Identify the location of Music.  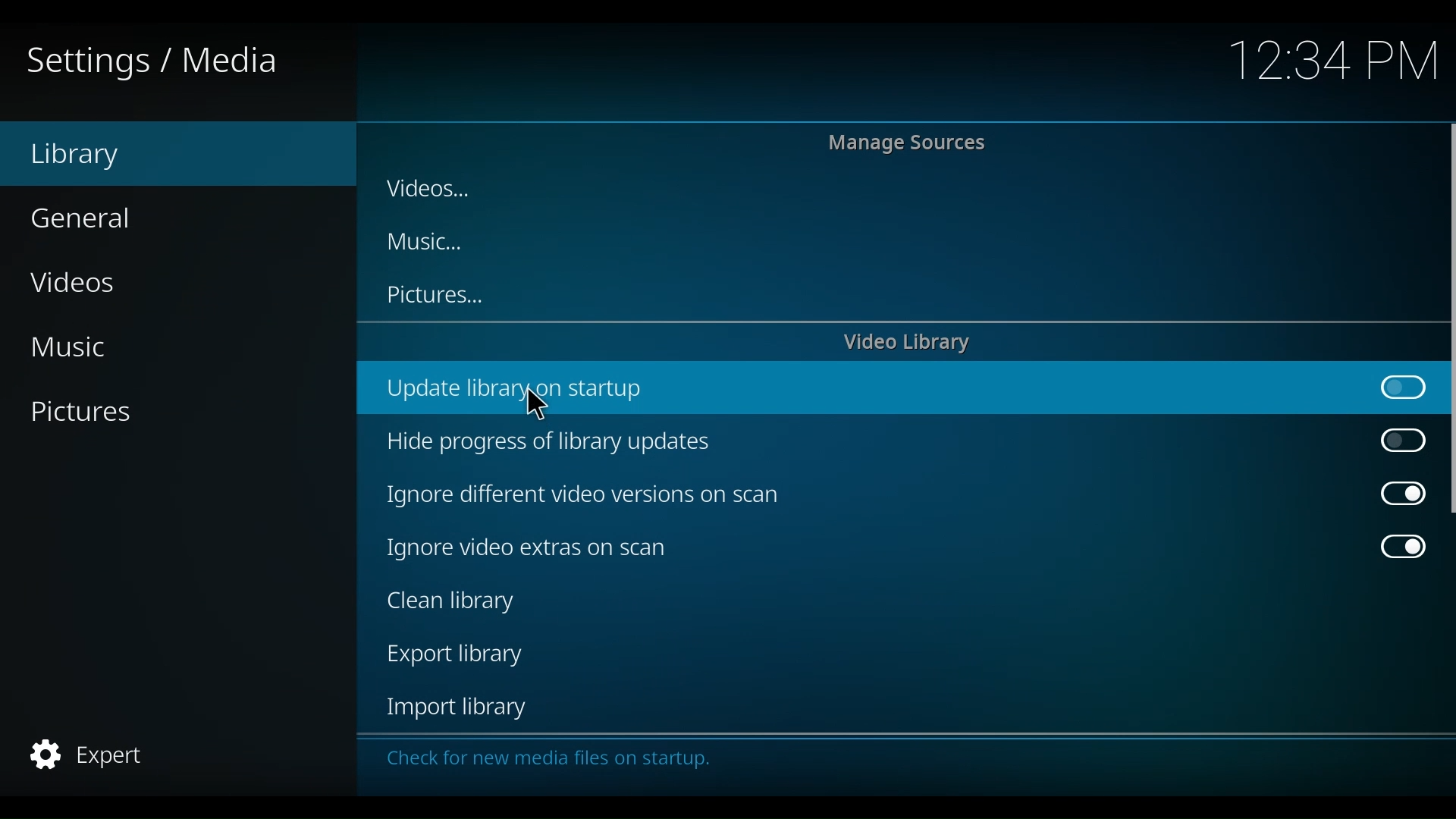
(77, 347).